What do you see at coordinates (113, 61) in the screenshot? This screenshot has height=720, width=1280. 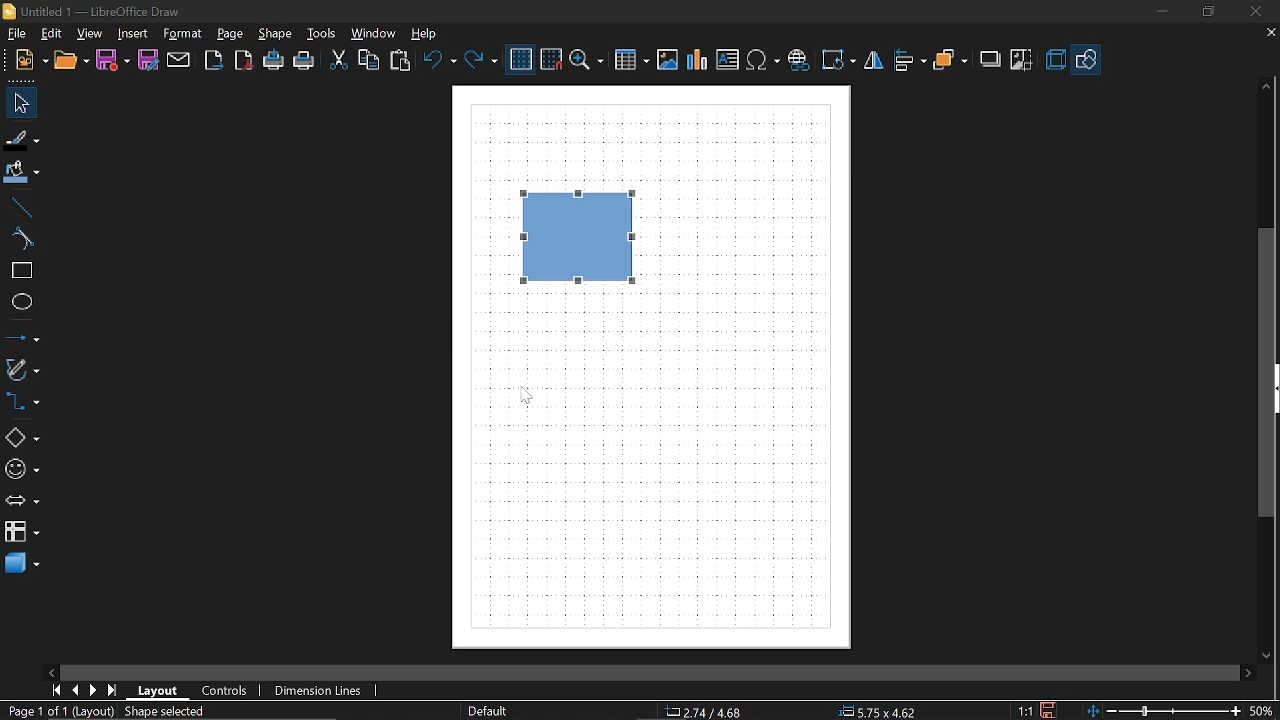 I see `Save` at bounding box center [113, 61].